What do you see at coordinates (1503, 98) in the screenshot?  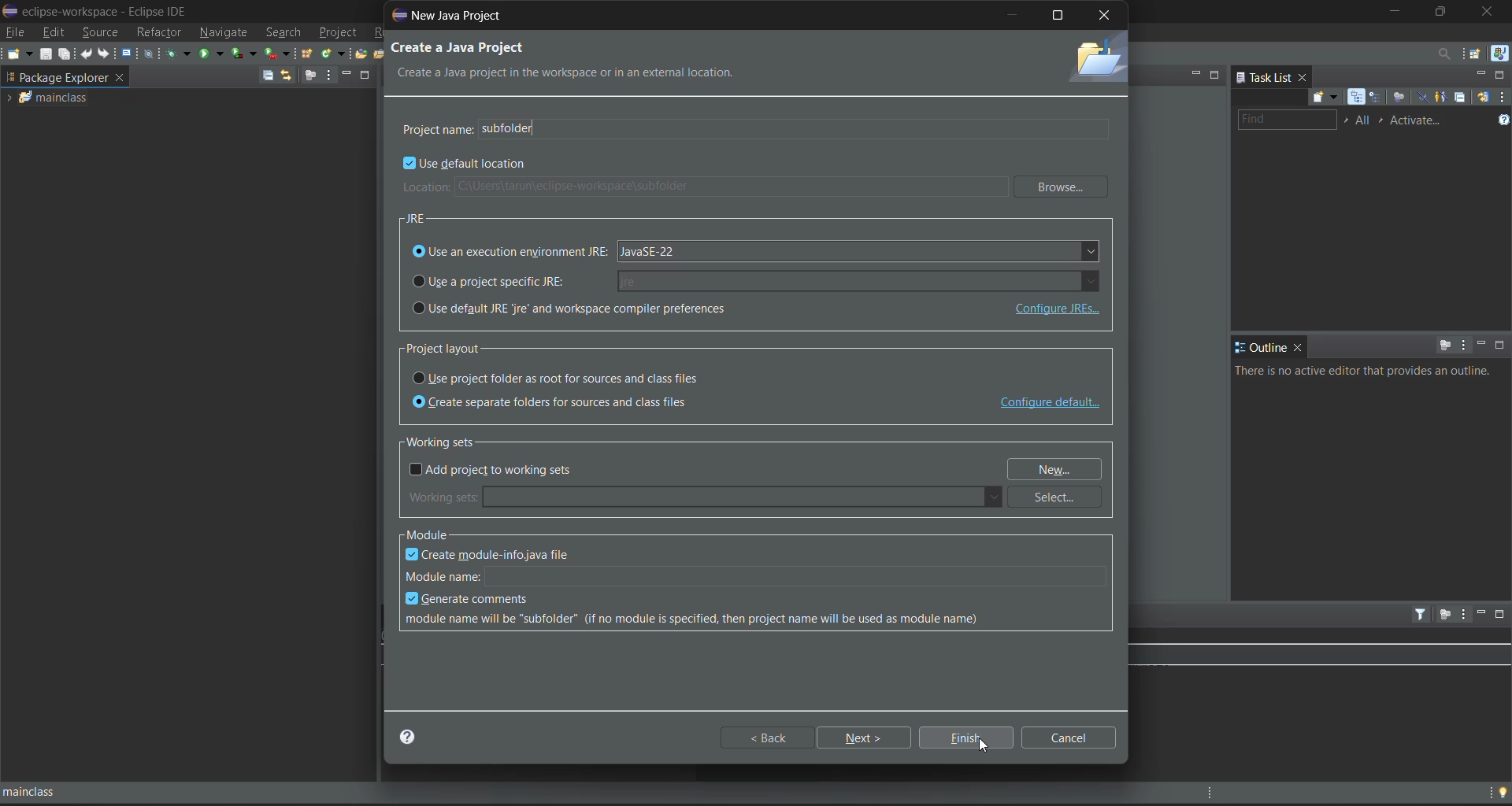 I see `view menu` at bounding box center [1503, 98].